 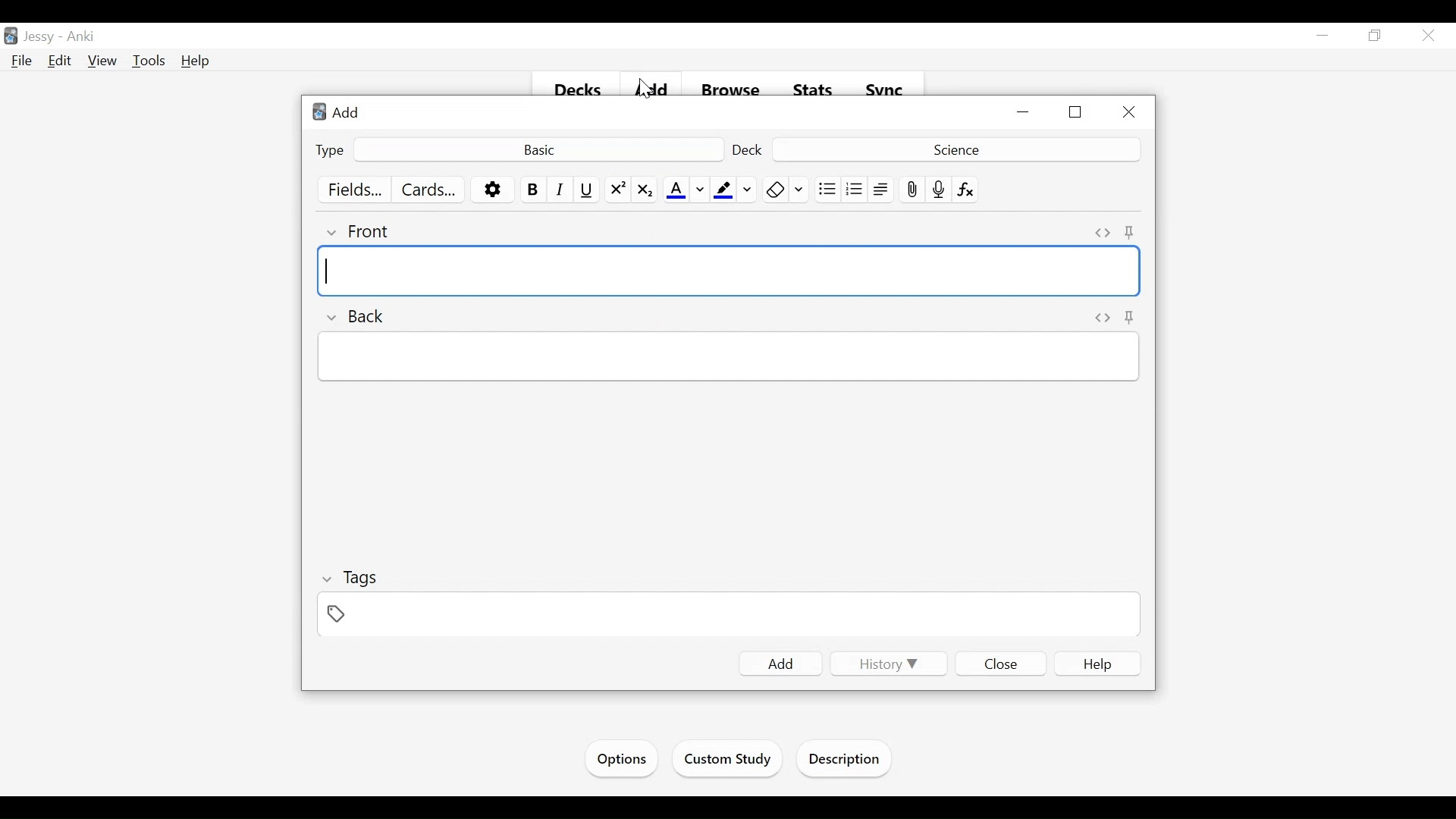 I want to click on Stats, so click(x=814, y=90).